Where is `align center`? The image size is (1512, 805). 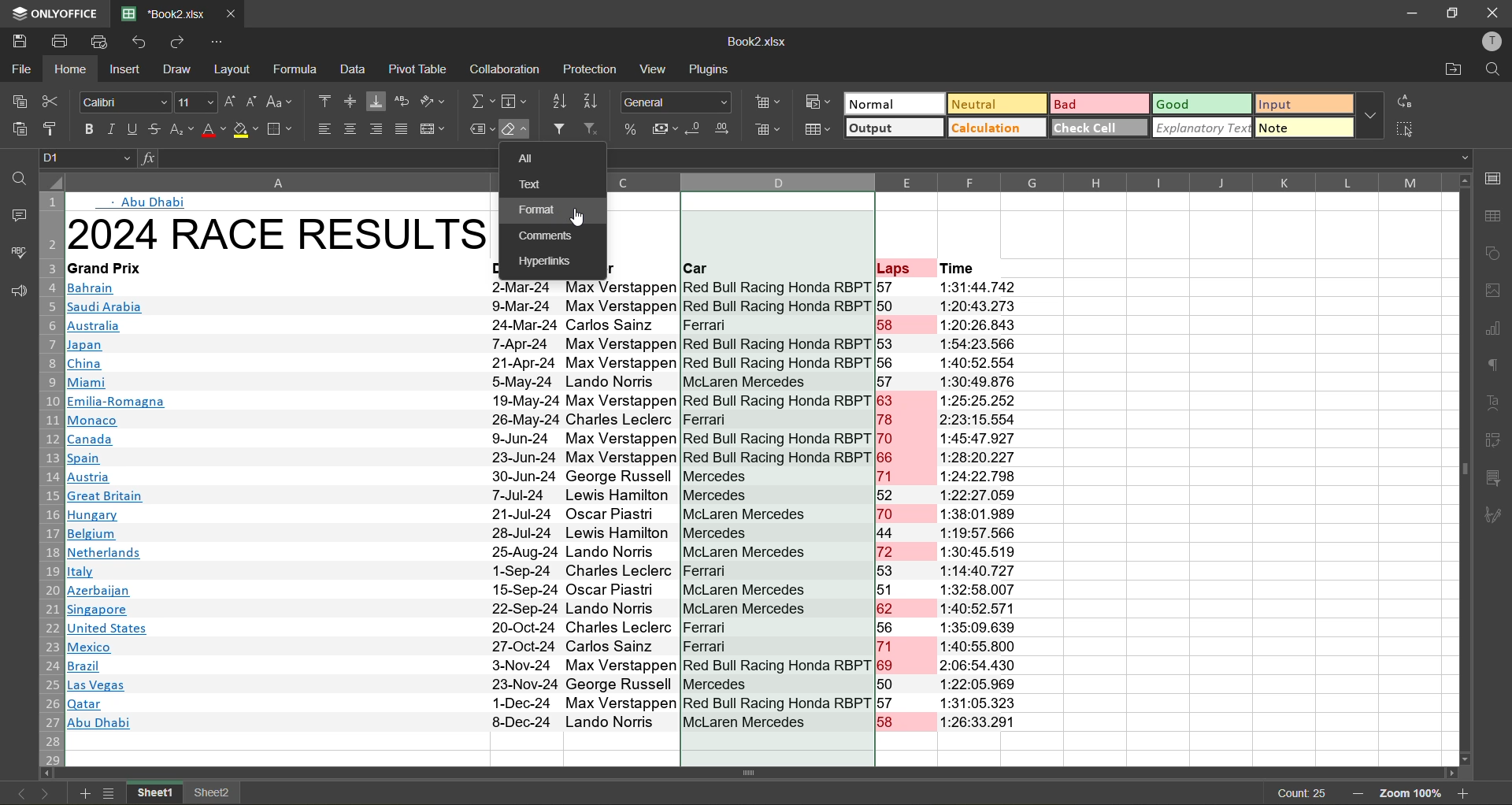 align center is located at coordinates (350, 129).